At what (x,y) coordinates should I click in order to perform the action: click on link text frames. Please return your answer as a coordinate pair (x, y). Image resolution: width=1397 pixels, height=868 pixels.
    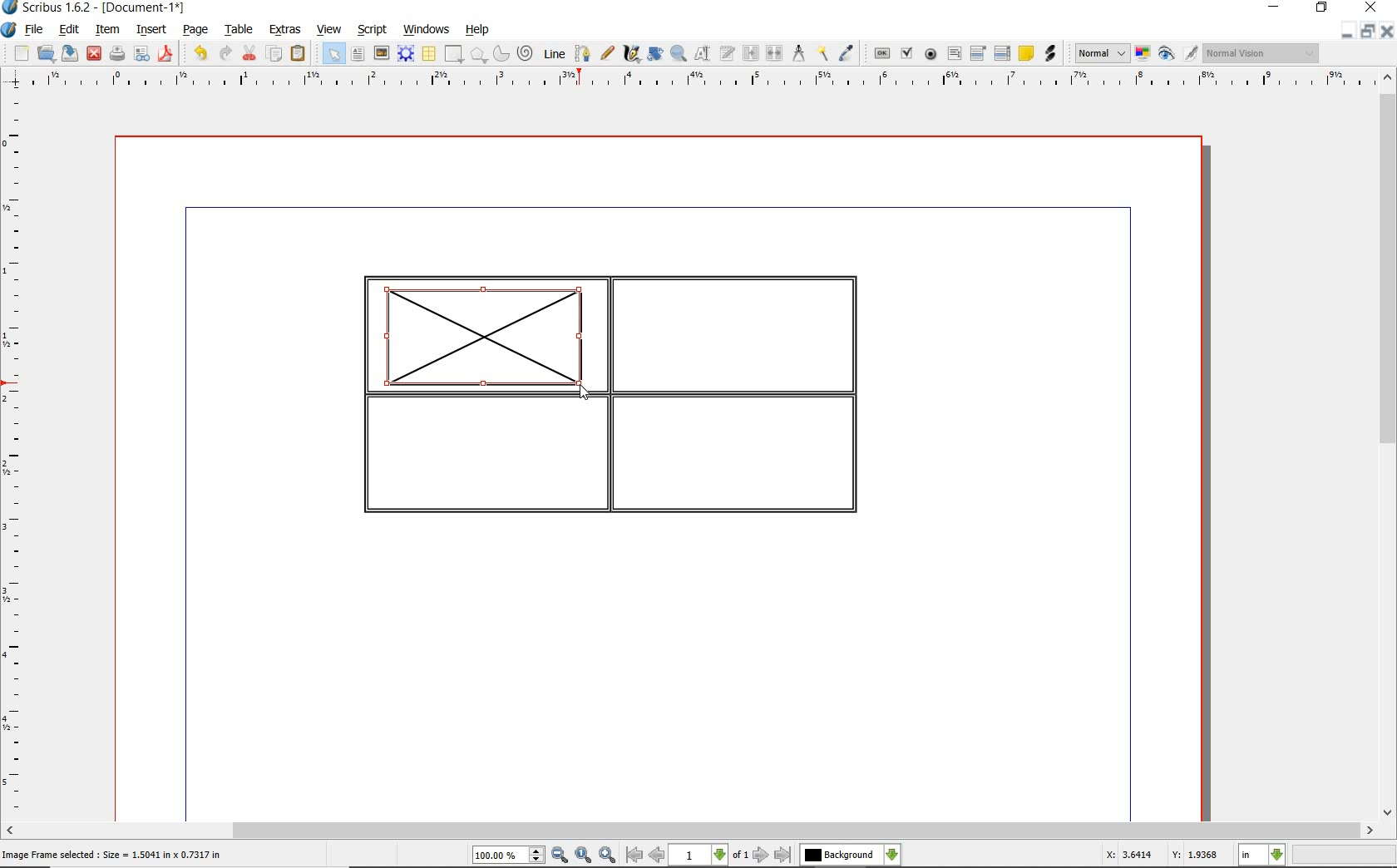
    Looking at the image, I should click on (752, 53).